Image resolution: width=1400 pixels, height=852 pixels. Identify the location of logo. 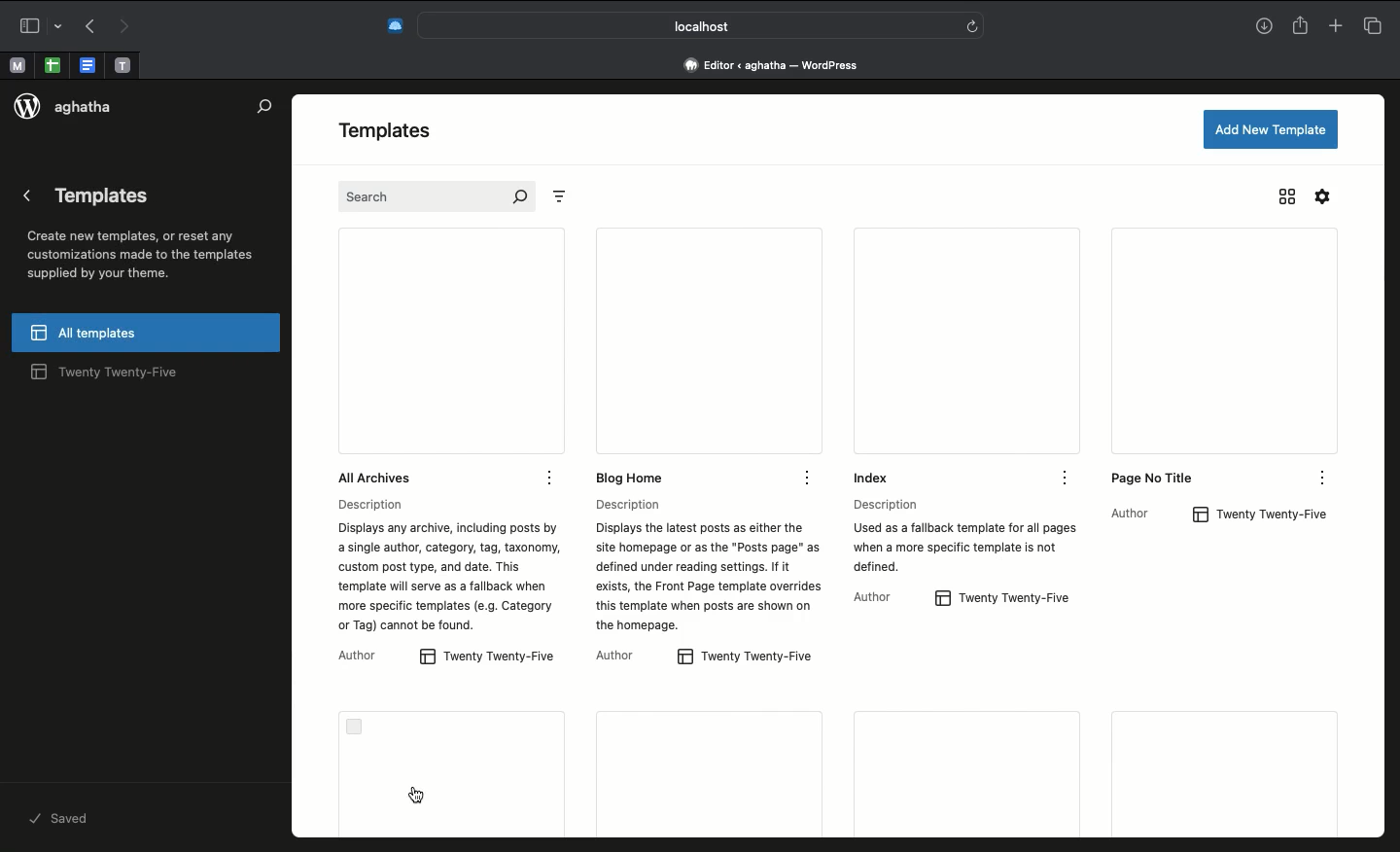
(28, 108).